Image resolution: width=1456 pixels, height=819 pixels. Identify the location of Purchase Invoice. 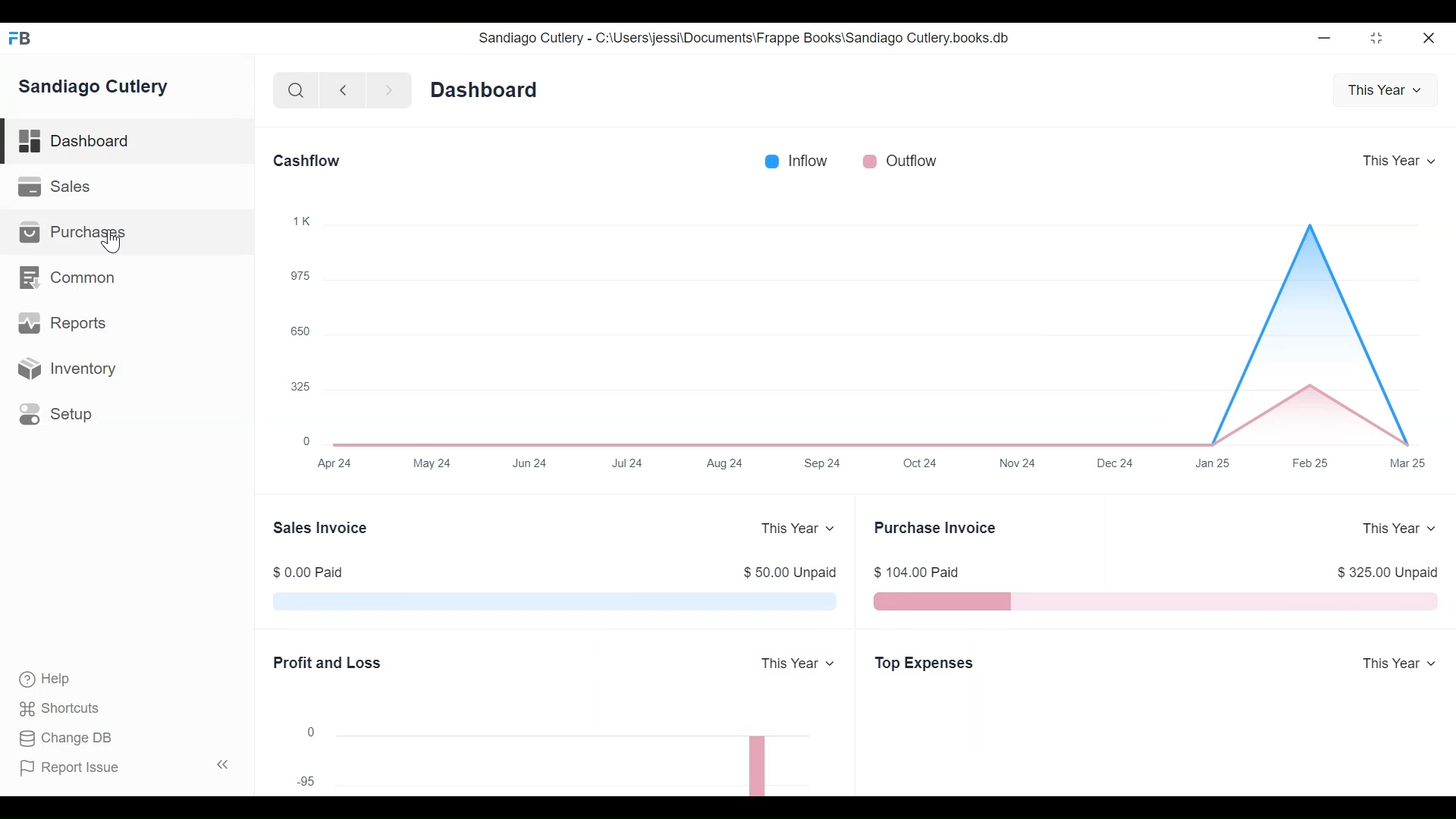
(943, 531).